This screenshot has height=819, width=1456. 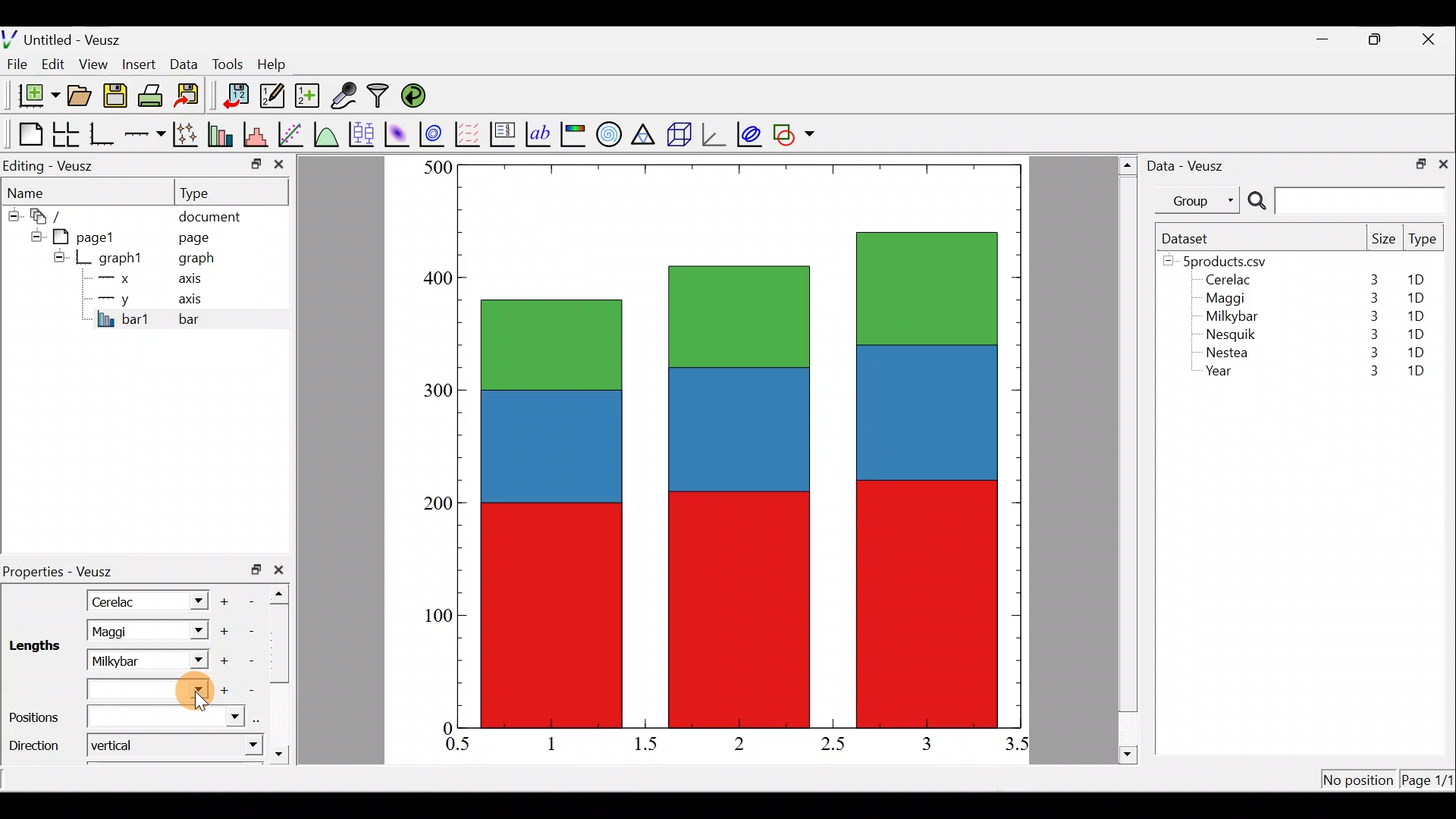 I want to click on remove item, so click(x=250, y=631).